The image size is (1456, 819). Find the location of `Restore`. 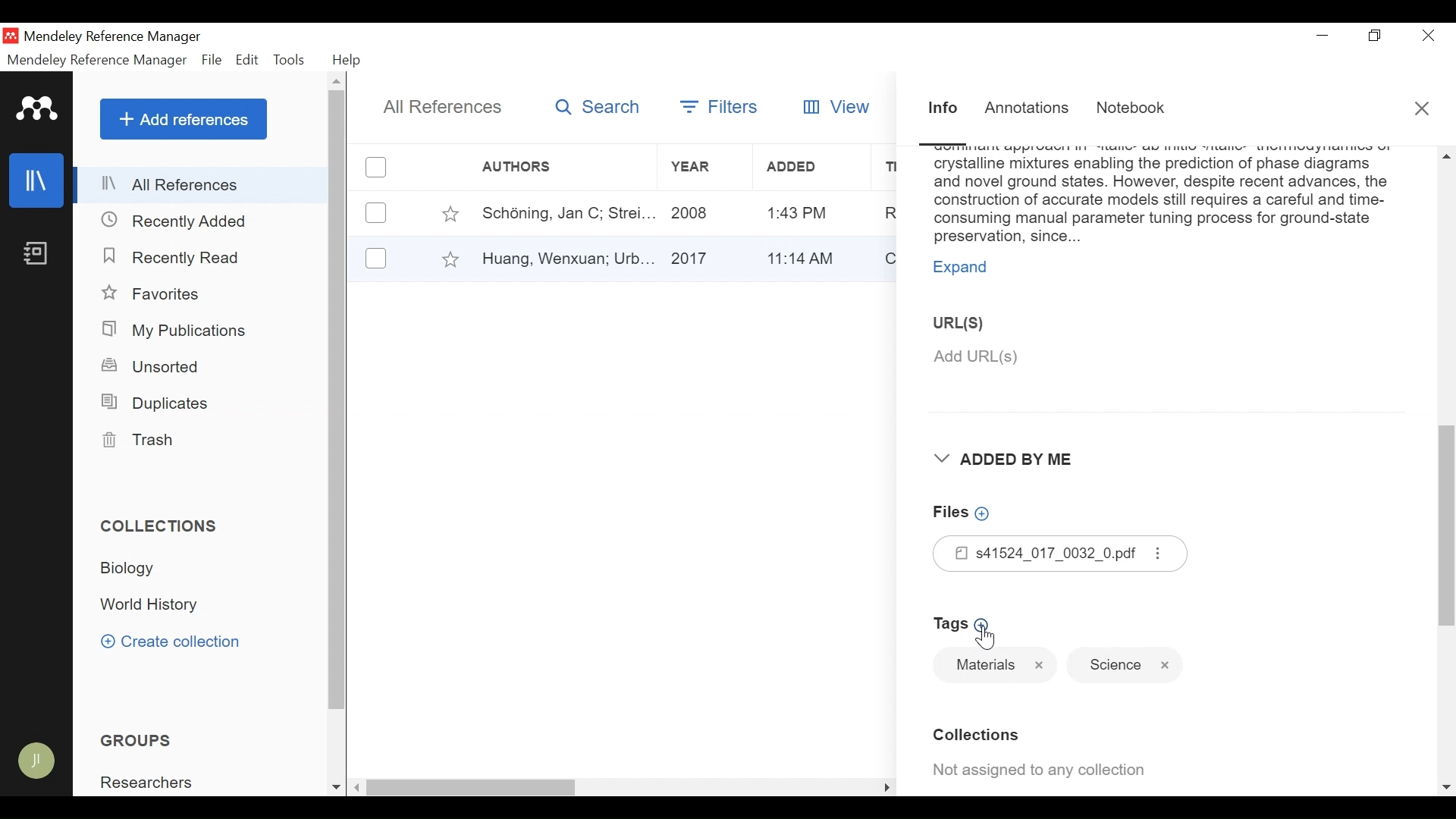

Restore is located at coordinates (1377, 36).